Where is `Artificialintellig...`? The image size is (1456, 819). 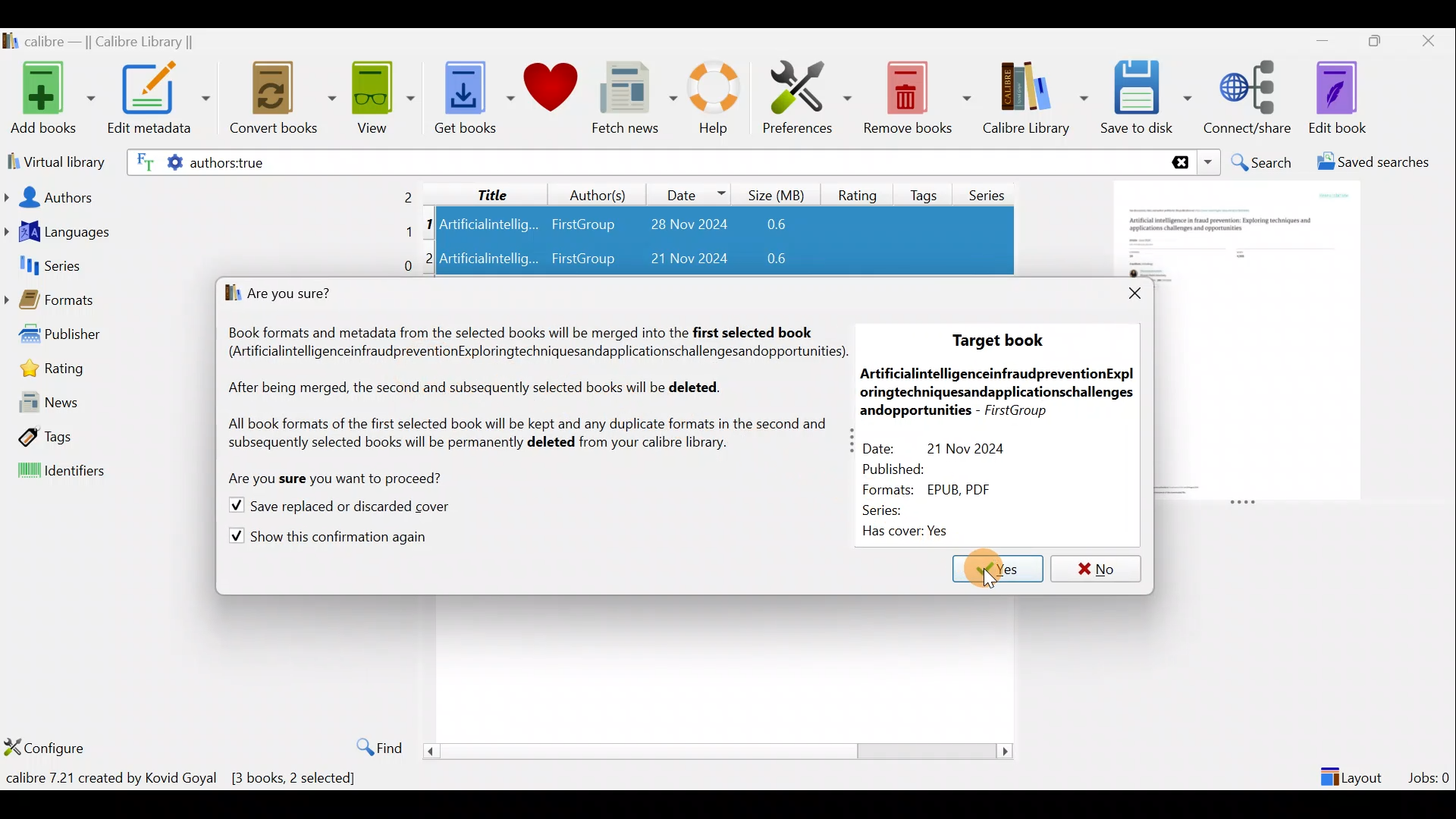 Artificialintellig... is located at coordinates (491, 223).